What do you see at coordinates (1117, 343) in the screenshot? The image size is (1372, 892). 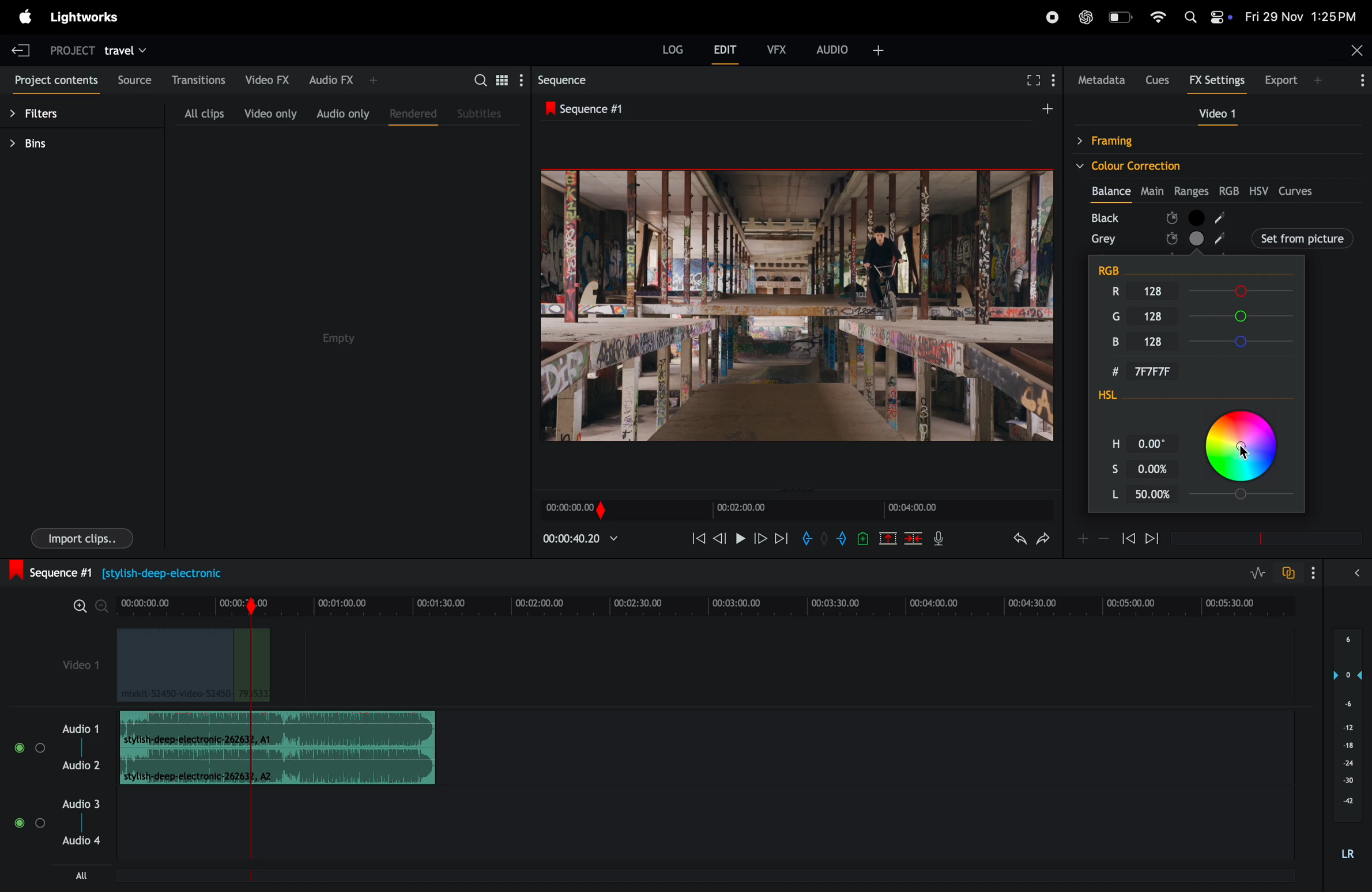 I see `B` at bounding box center [1117, 343].